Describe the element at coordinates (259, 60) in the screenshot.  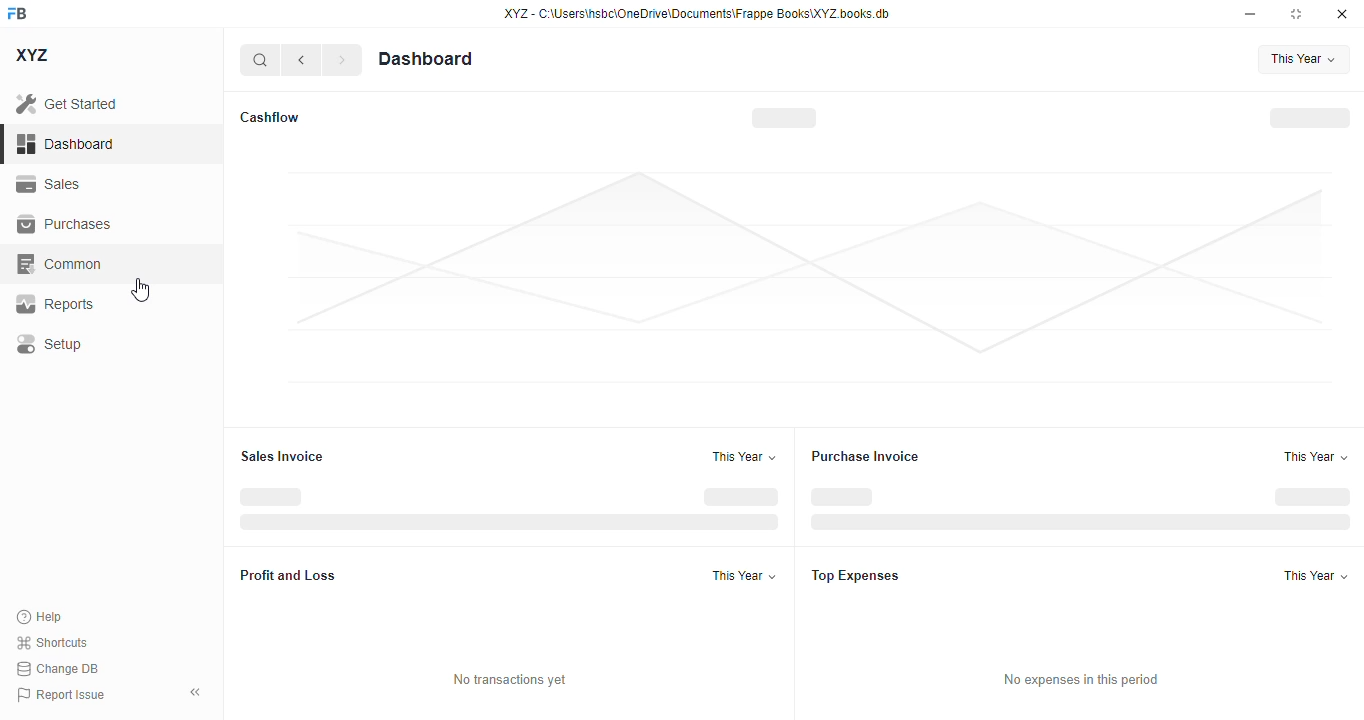
I see `search` at that location.